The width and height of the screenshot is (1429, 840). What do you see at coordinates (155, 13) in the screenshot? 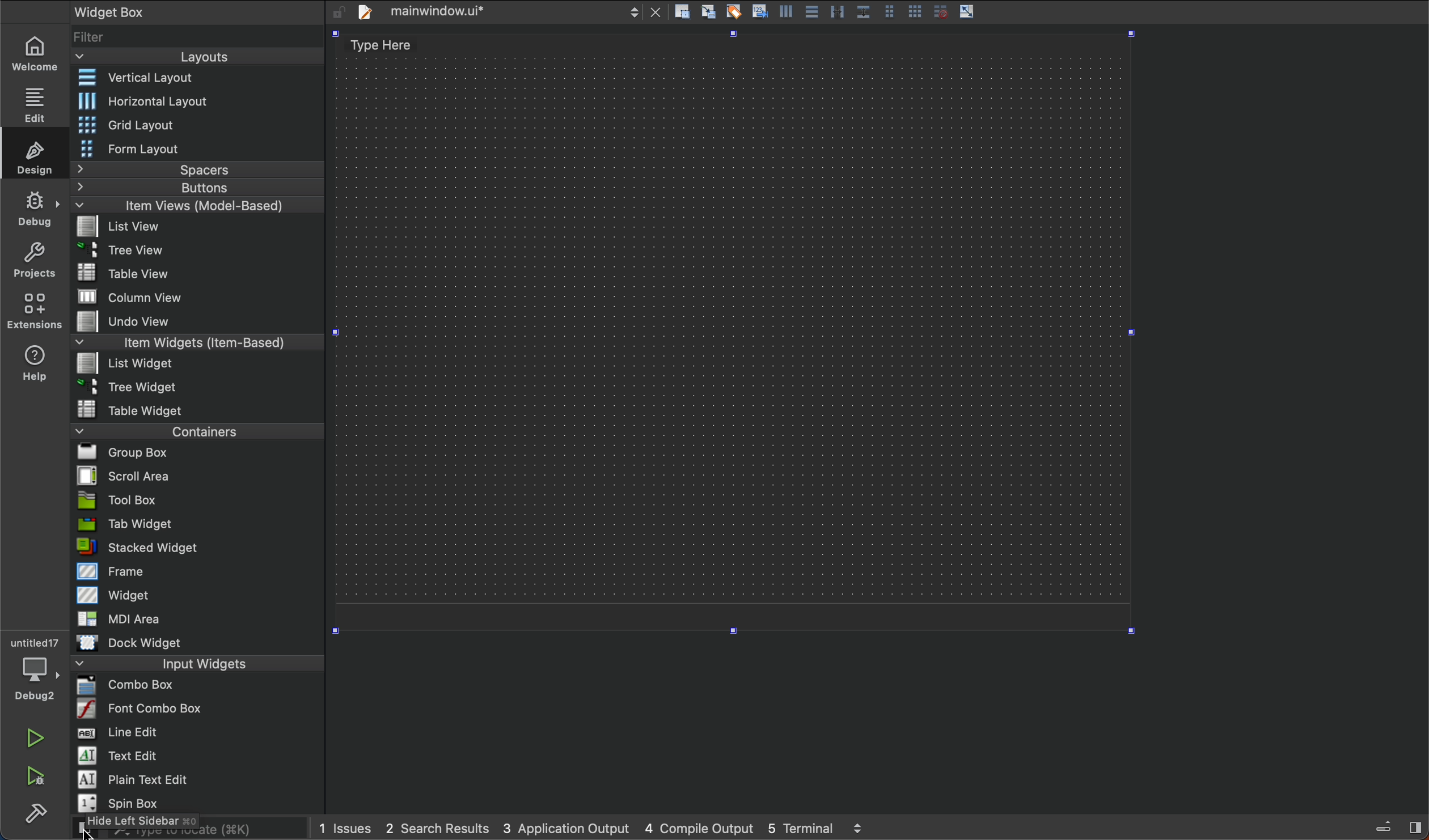
I see `Widget Box` at bounding box center [155, 13].